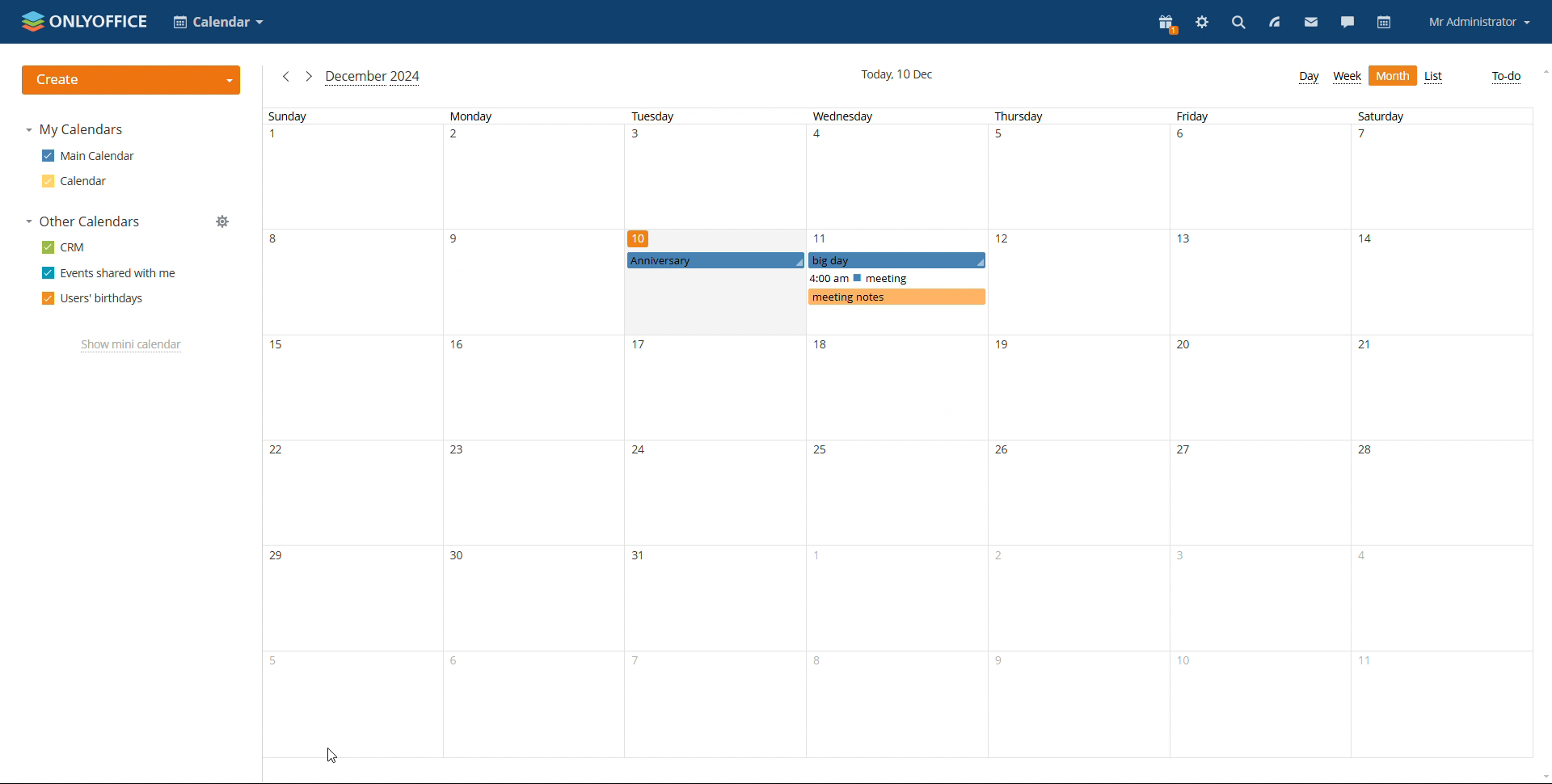 The width and height of the screenshot is (1552, 784). I want to click on mail, so click(1310, 23).